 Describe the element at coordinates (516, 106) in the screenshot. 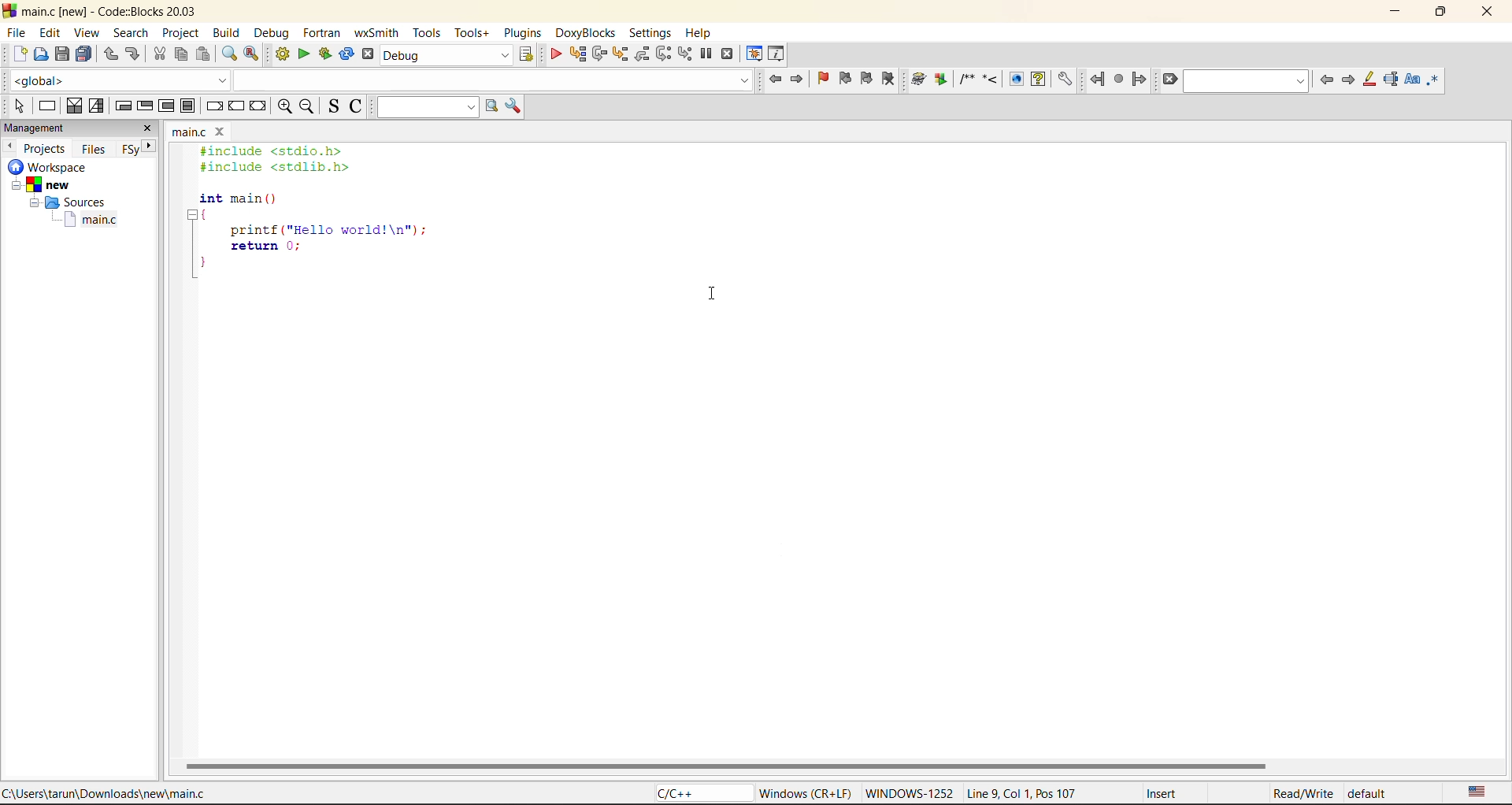

I see `show options window` at that location.